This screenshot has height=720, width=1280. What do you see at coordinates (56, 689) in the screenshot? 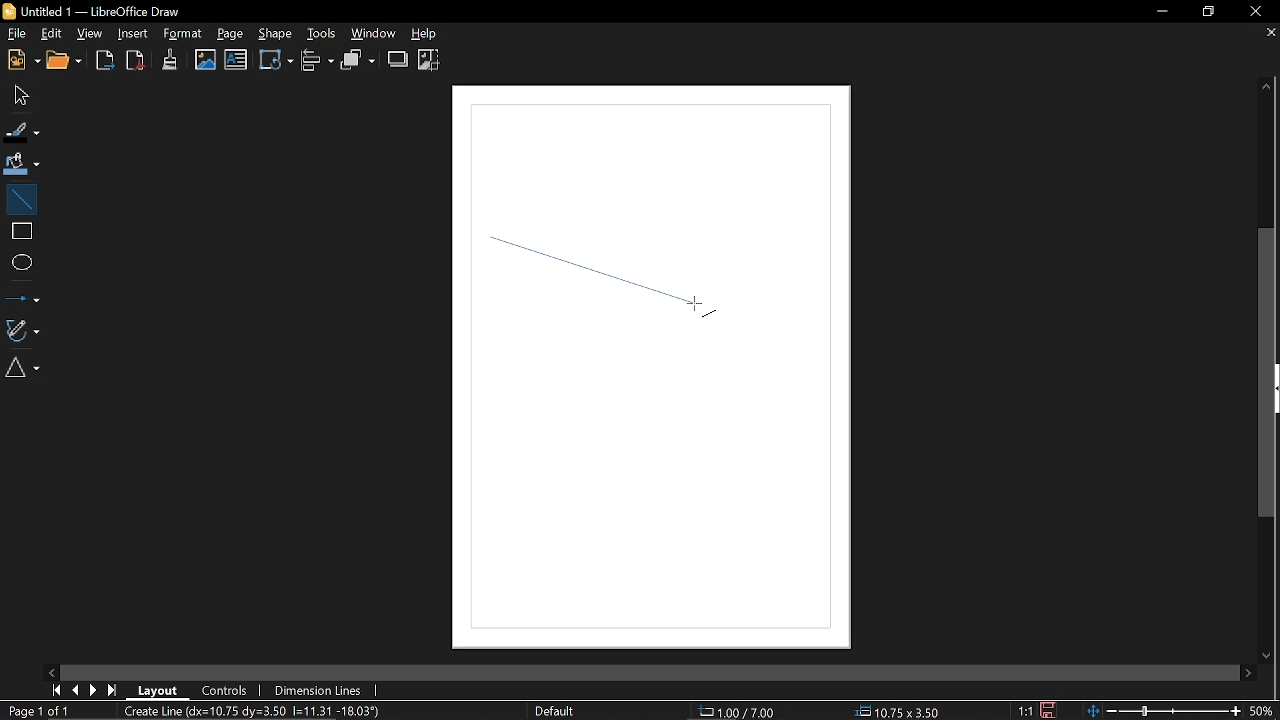
I see `First page` at bounding box center [56, 689].